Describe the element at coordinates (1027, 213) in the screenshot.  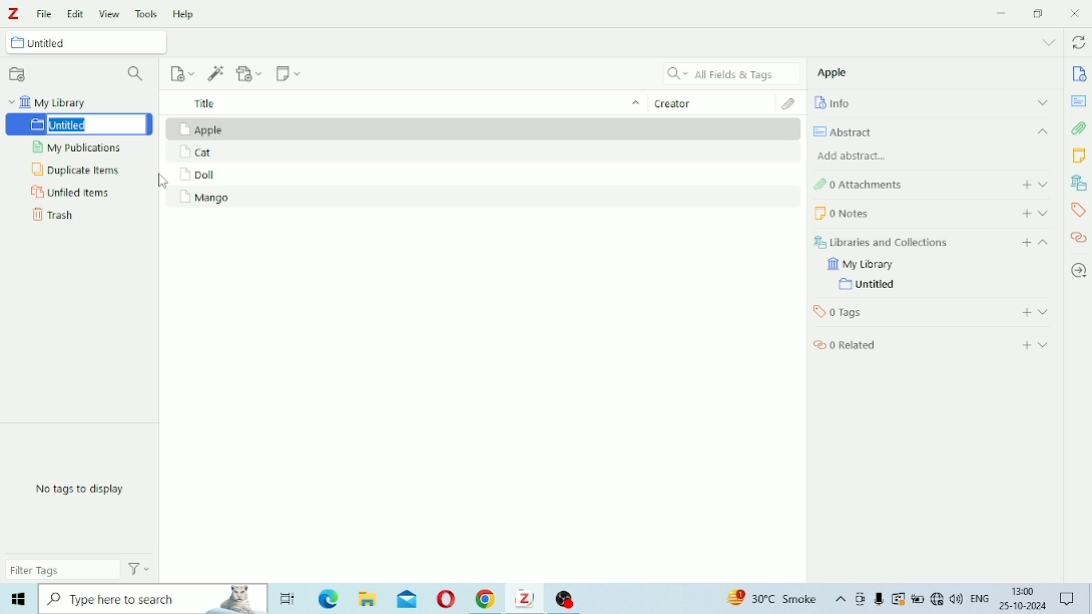
I see `Add` at that location.